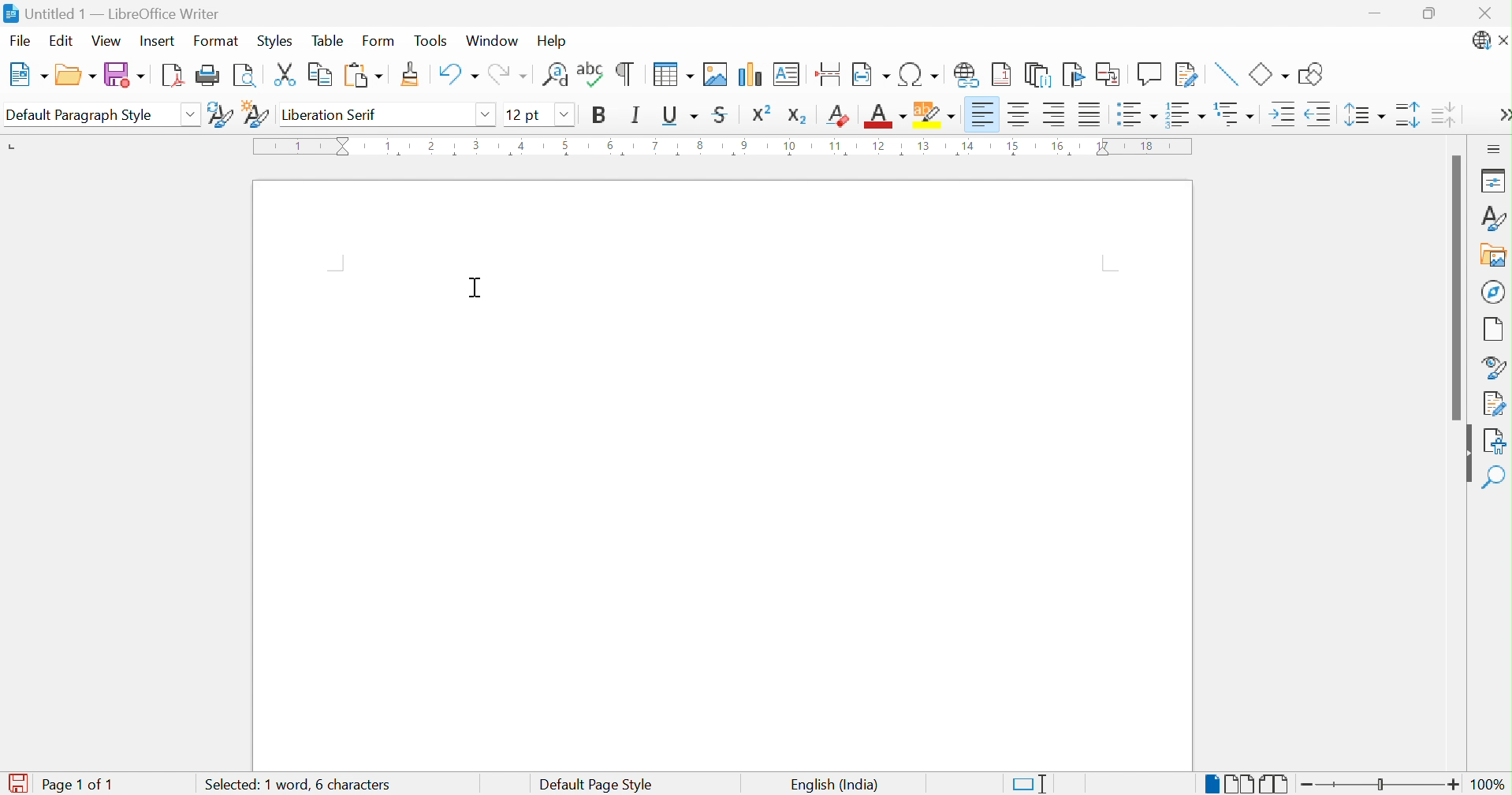  What do you see at coordinates (554, 39) in the screenshot?
I see `Help` at bounding box center [554, 39].